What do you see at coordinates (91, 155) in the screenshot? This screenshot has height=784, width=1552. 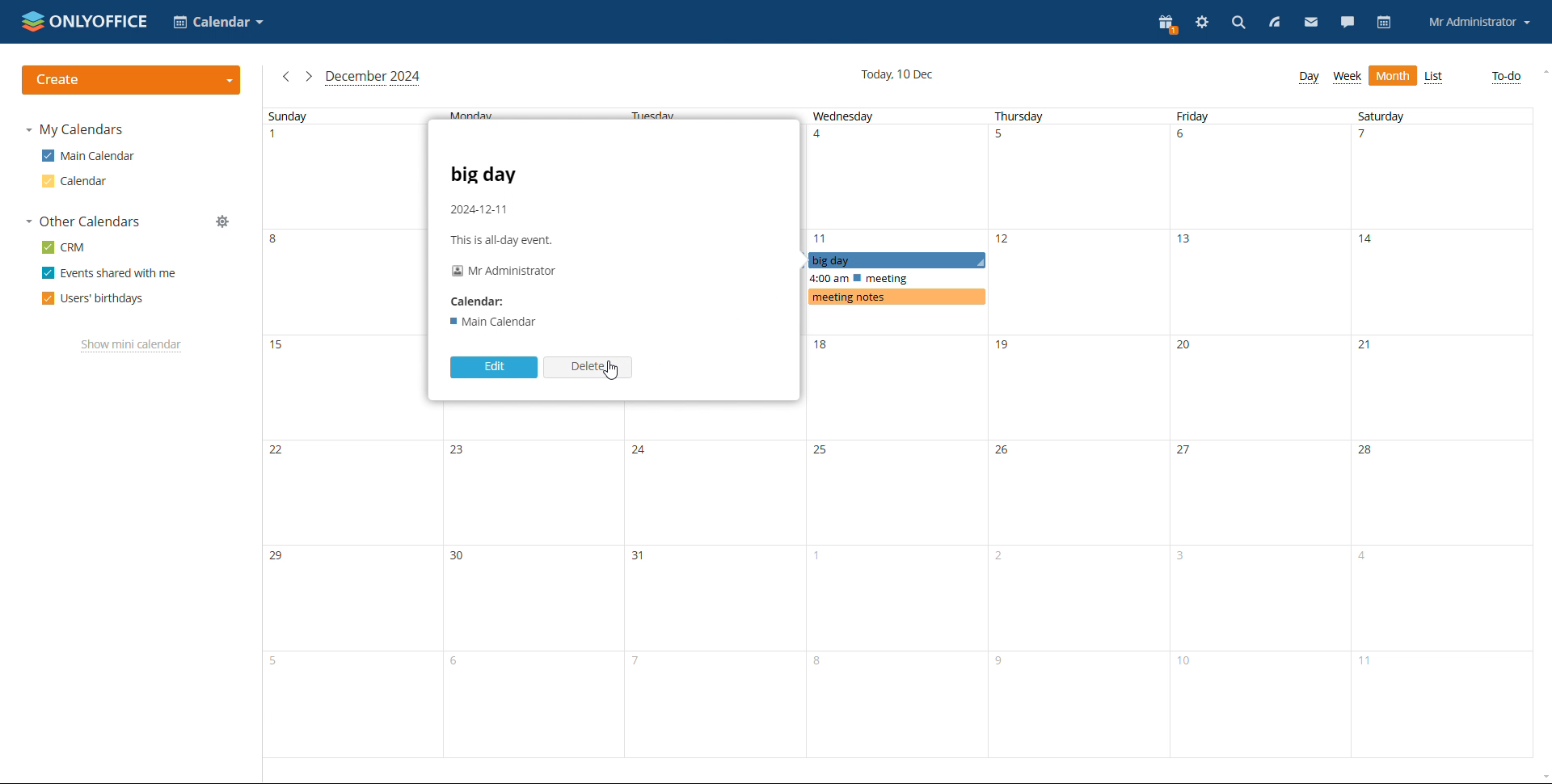 I see `main calendar` at bounding box center [91, 155].